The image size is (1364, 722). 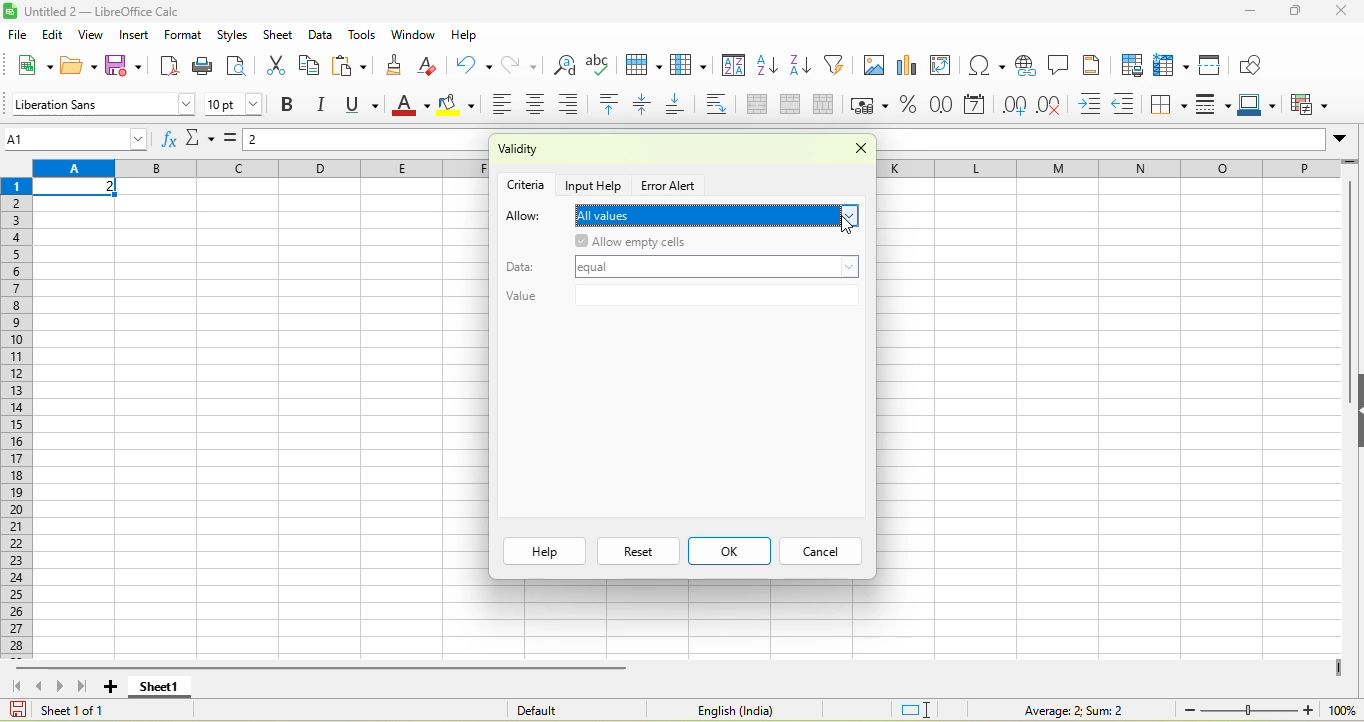 What do you see at coordinates (563, 709) in the screenshot?
I see `default` at bounding box center [563, 709].